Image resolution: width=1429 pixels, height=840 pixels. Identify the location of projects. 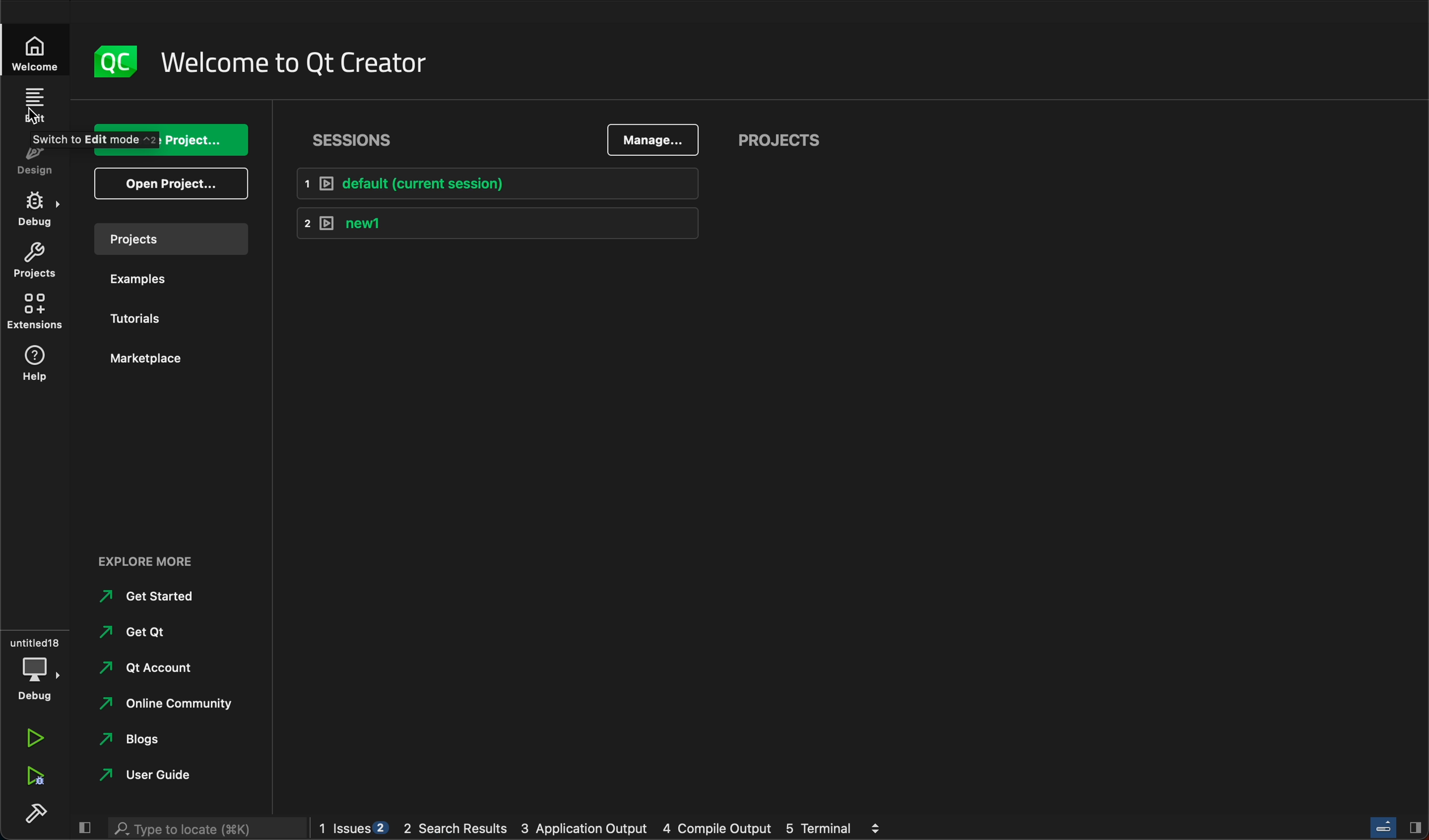
(787, 136).